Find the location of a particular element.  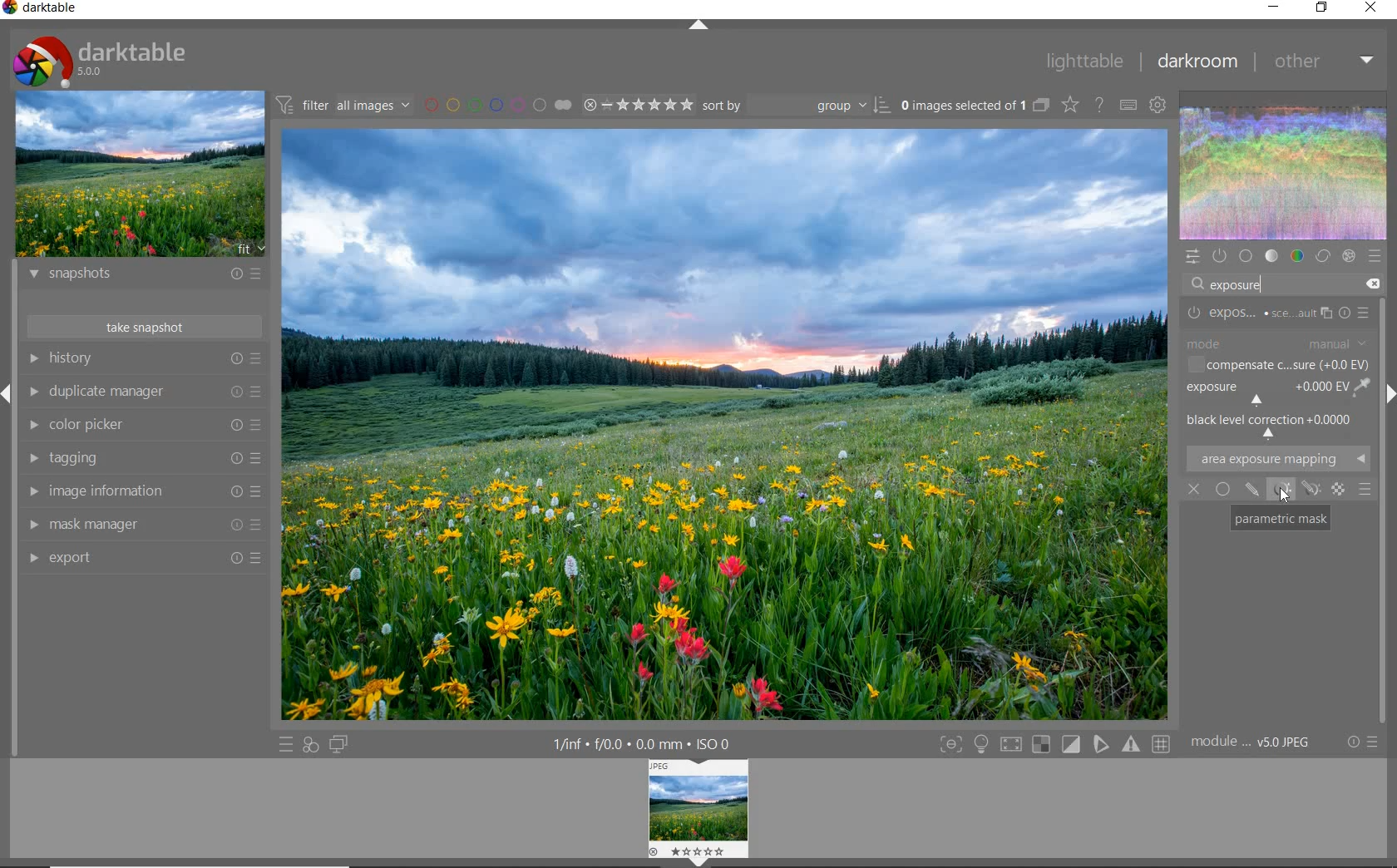

history is located at coordinates (143, 358).